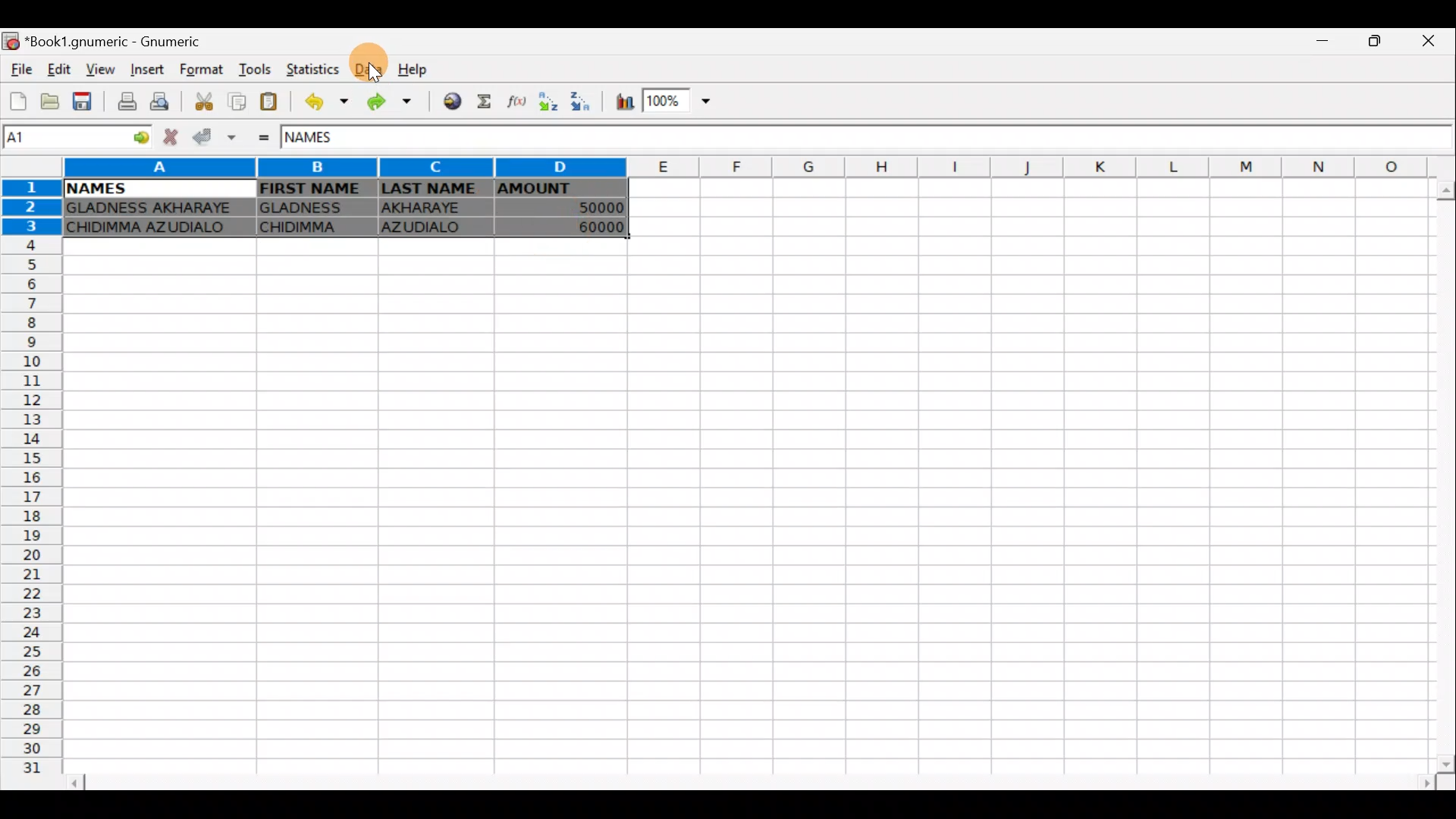 Image resolution: width=1456 pixels, height=819 pixels. What do you see at coordinates (434, 210) in the screenshot?
I see `AKHARAYE` at bounding box center [434, 210].